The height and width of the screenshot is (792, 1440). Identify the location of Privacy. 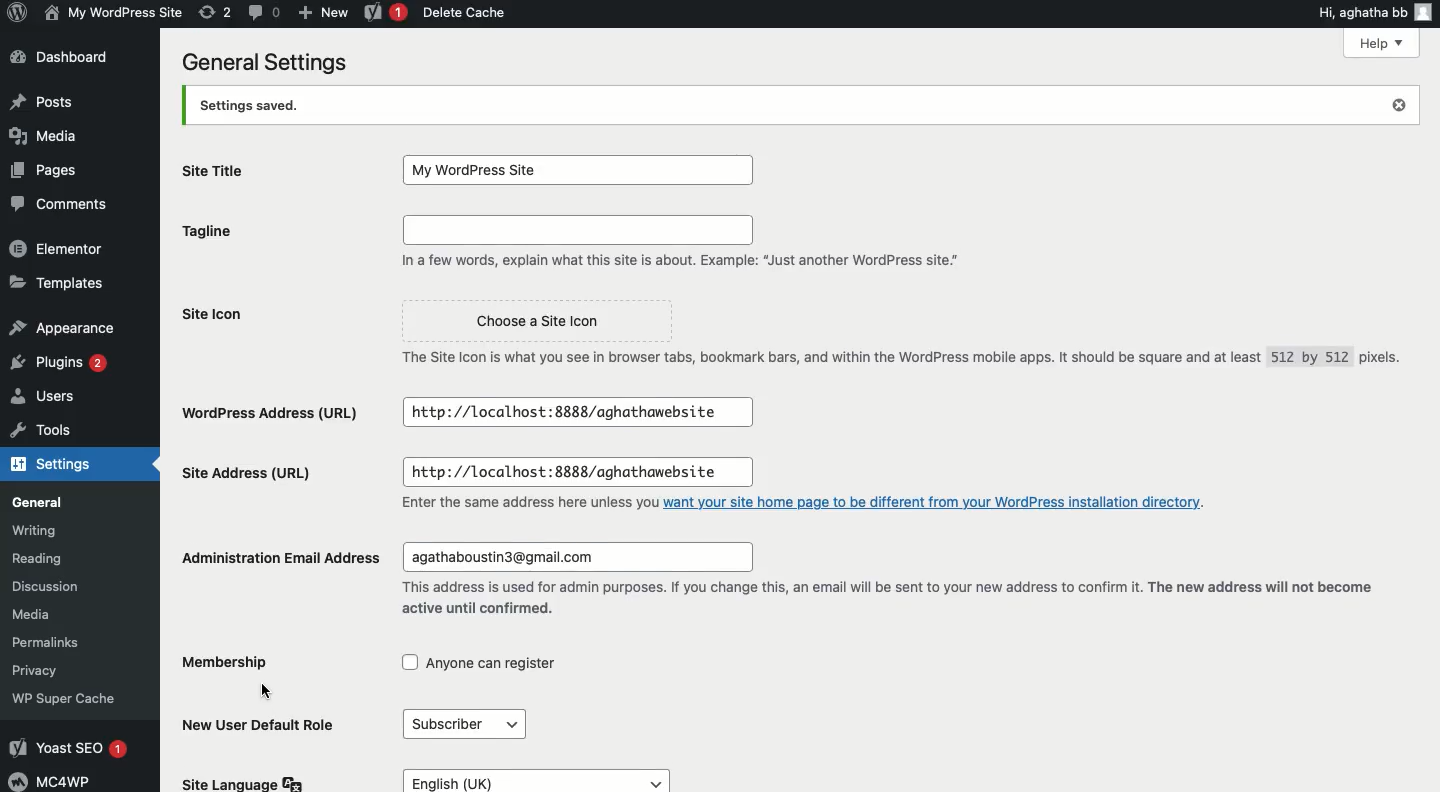
(38, 672).